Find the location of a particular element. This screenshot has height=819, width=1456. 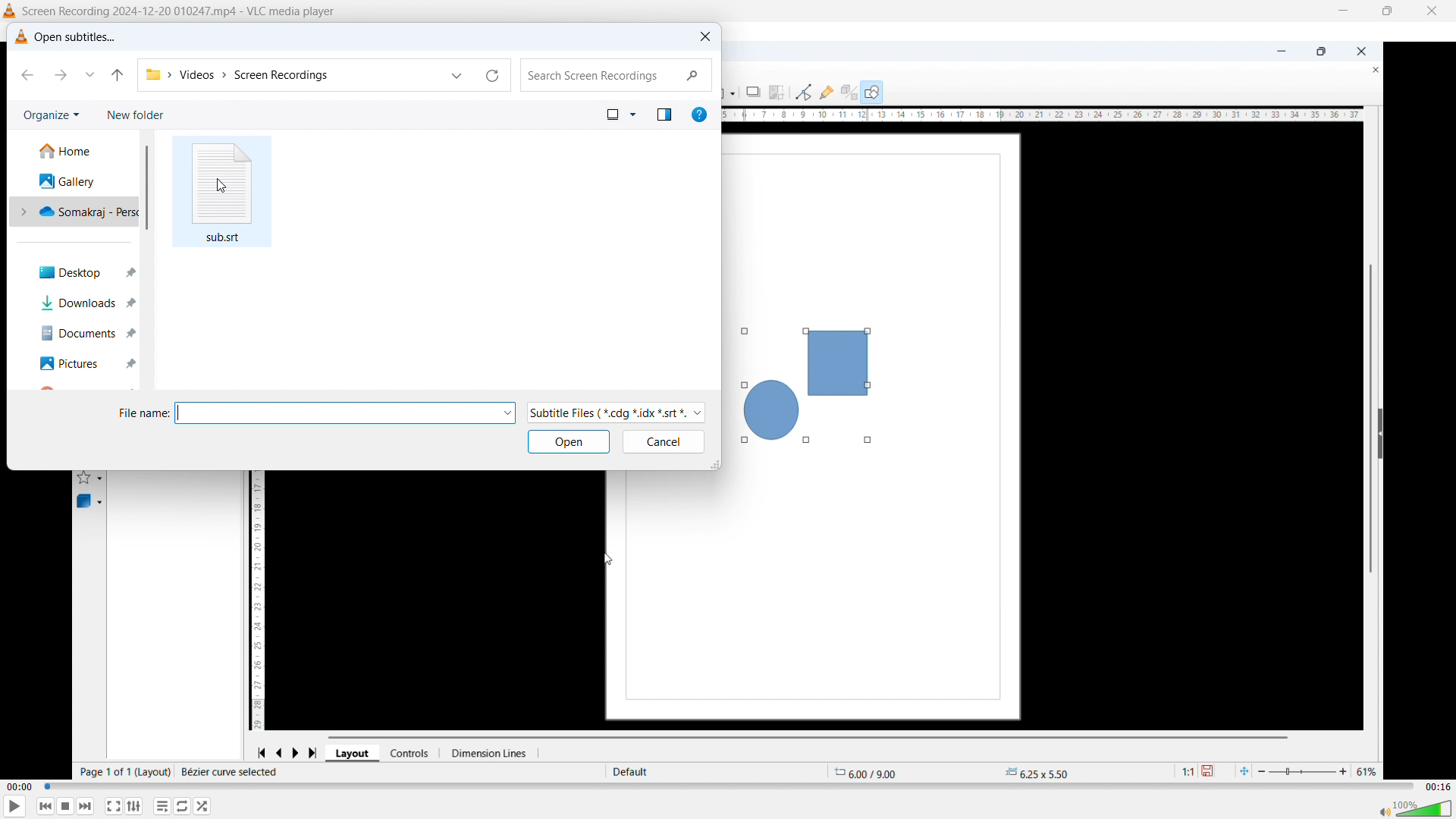

shadow is located at coordinates (753, 91).